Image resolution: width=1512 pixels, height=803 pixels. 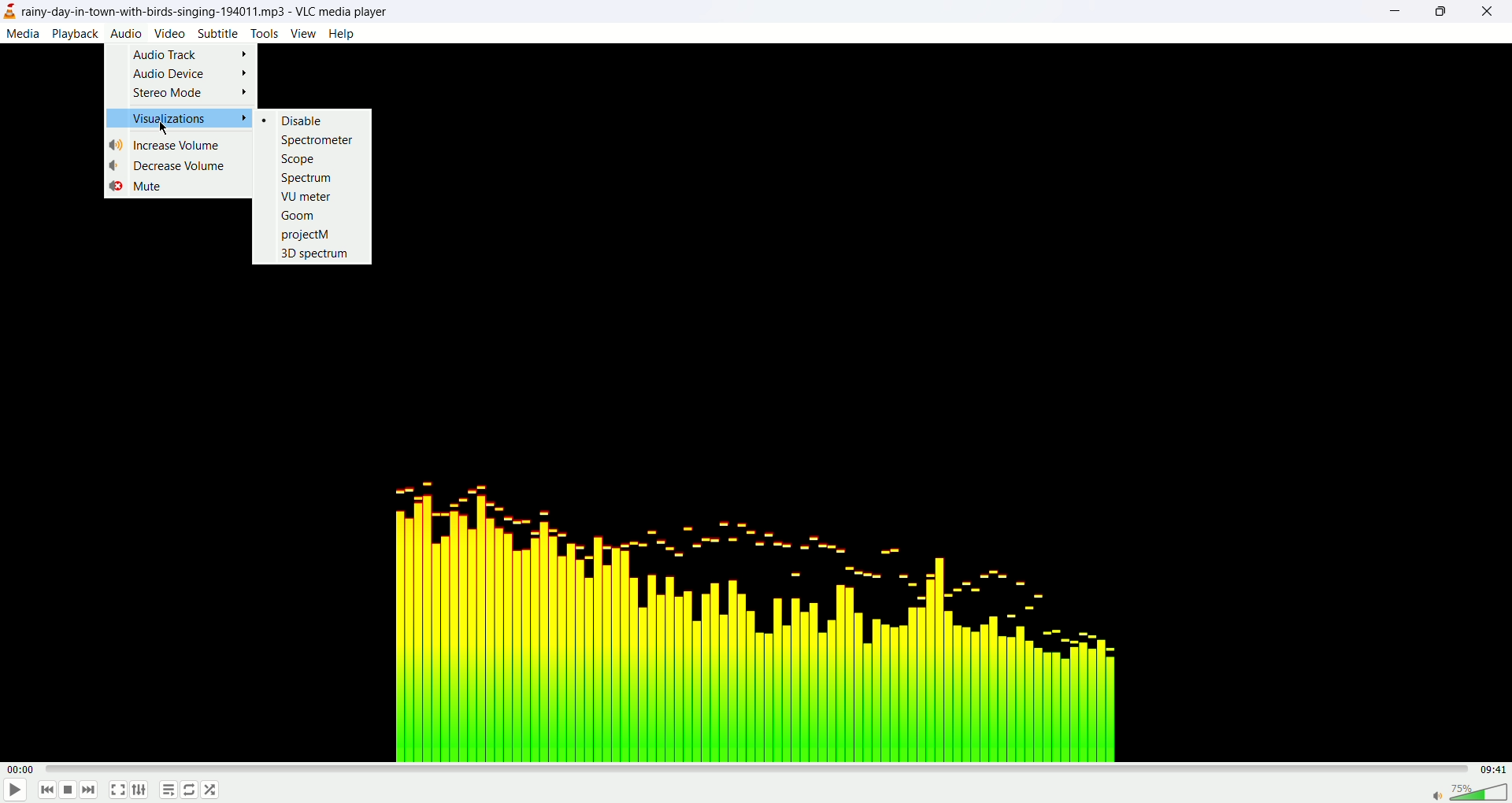 What do you see at coordinates (1395, 13) in the screenshot?
I see `minimize` at bounding box center [1395, 13].